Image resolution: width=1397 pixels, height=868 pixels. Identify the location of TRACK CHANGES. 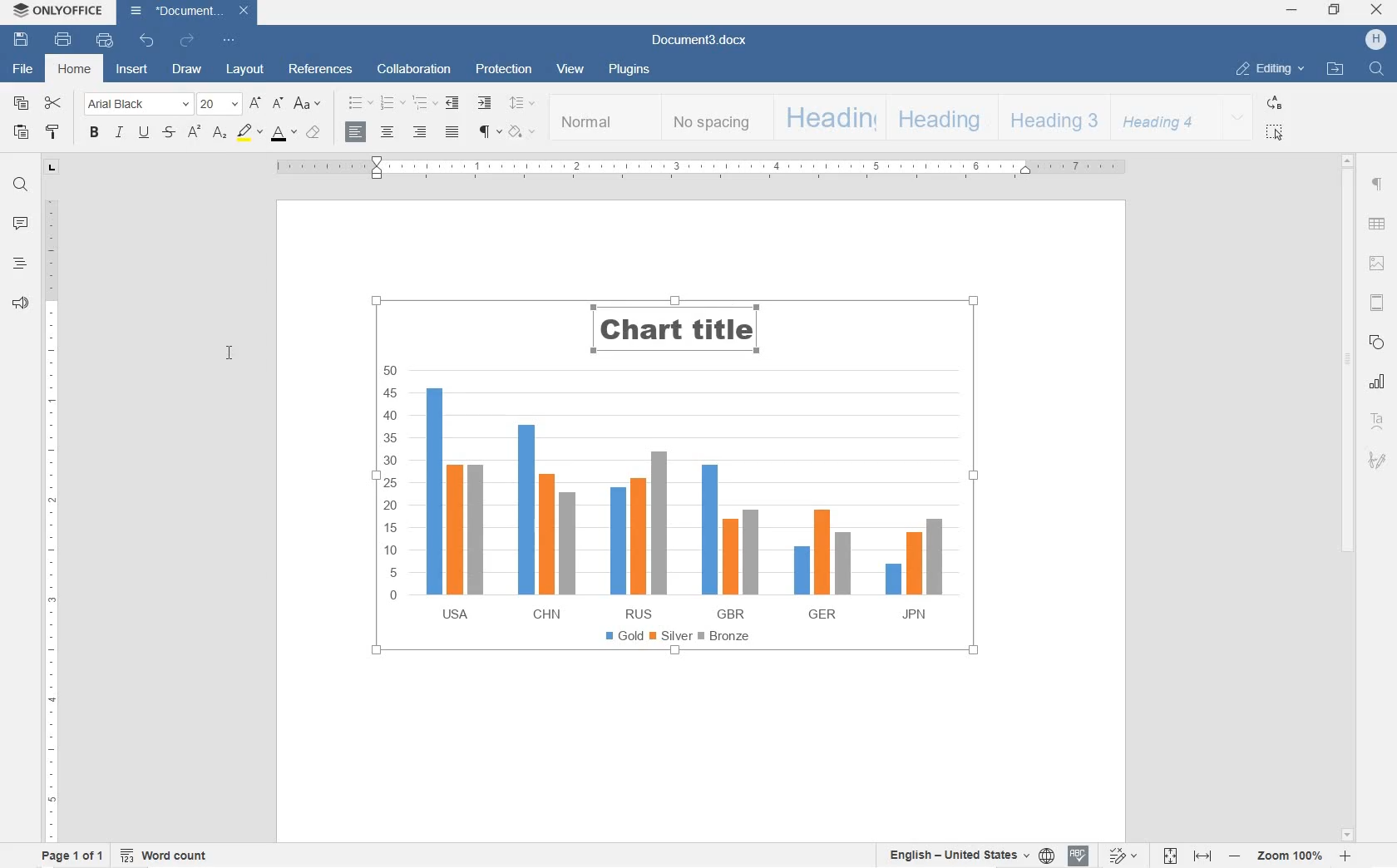
(1121, 856).